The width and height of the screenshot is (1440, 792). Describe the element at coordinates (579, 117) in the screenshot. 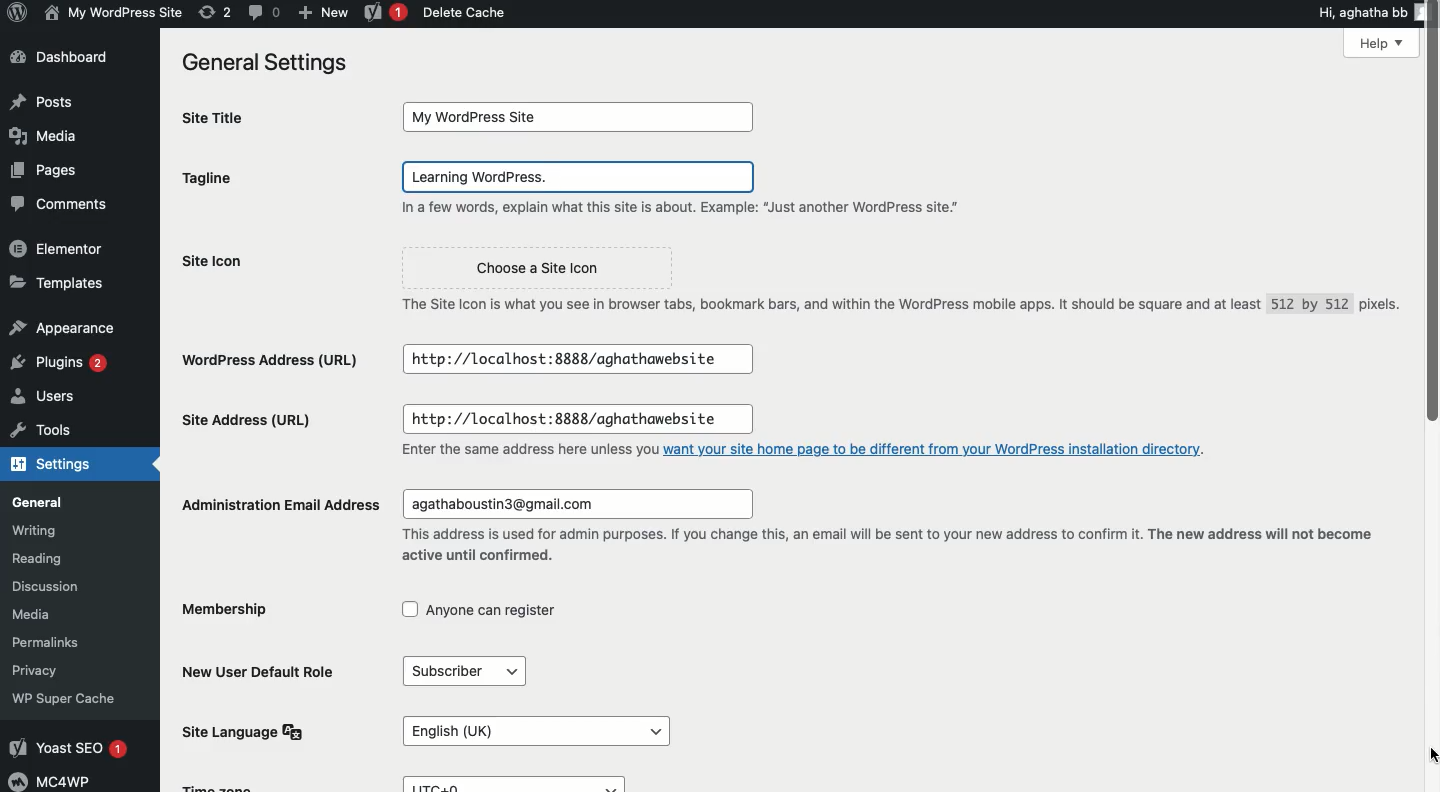

I see ` My Wordpress Site ` at that location.